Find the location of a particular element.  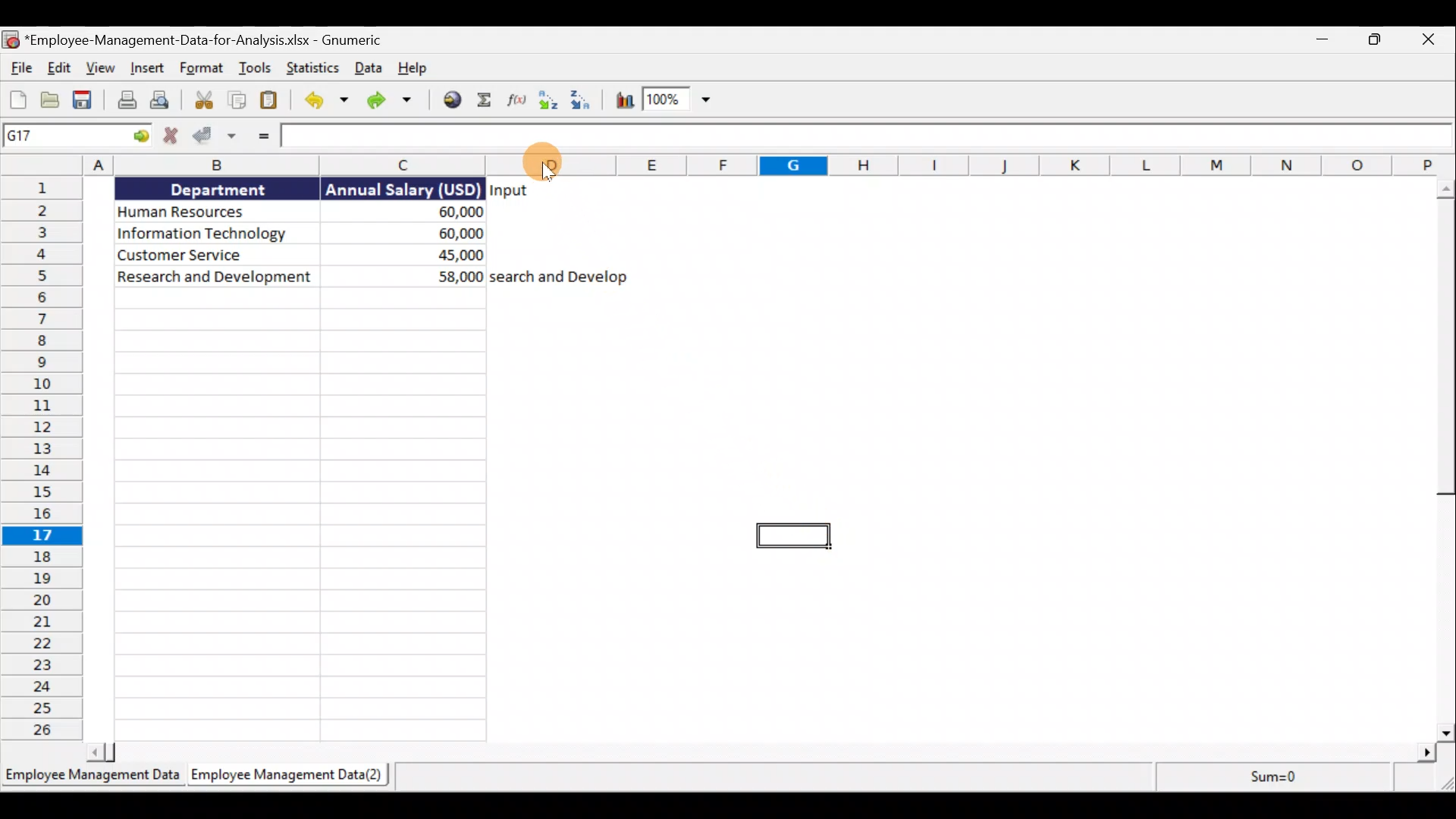

Close is located at coordinates (1432, 38).